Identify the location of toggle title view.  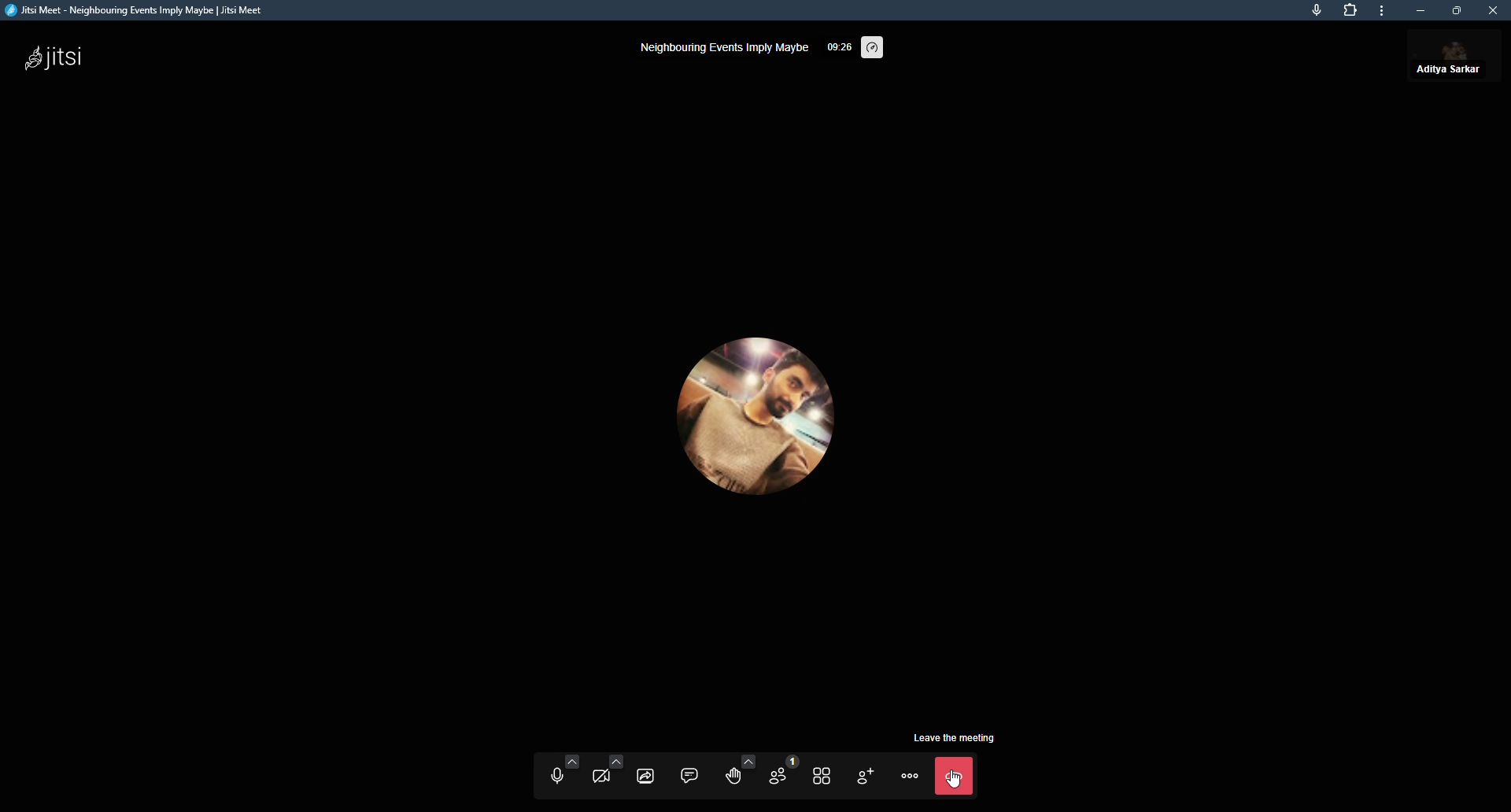
(821, 776).